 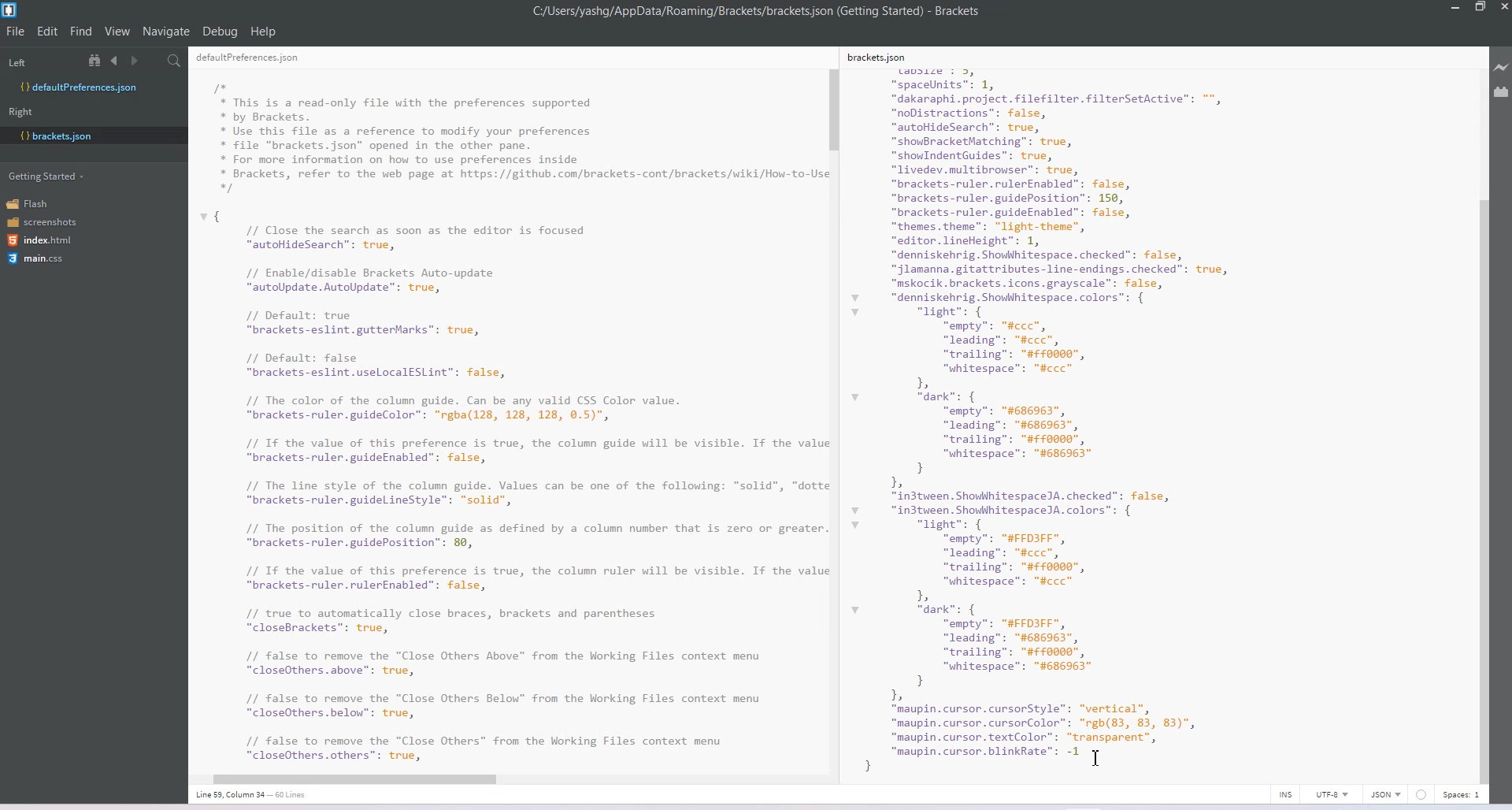 What do you see at coordinates (154, 61) in the screenshot?
I see `Split editor vertically and Horizontally` at bounding box center [154, 61].